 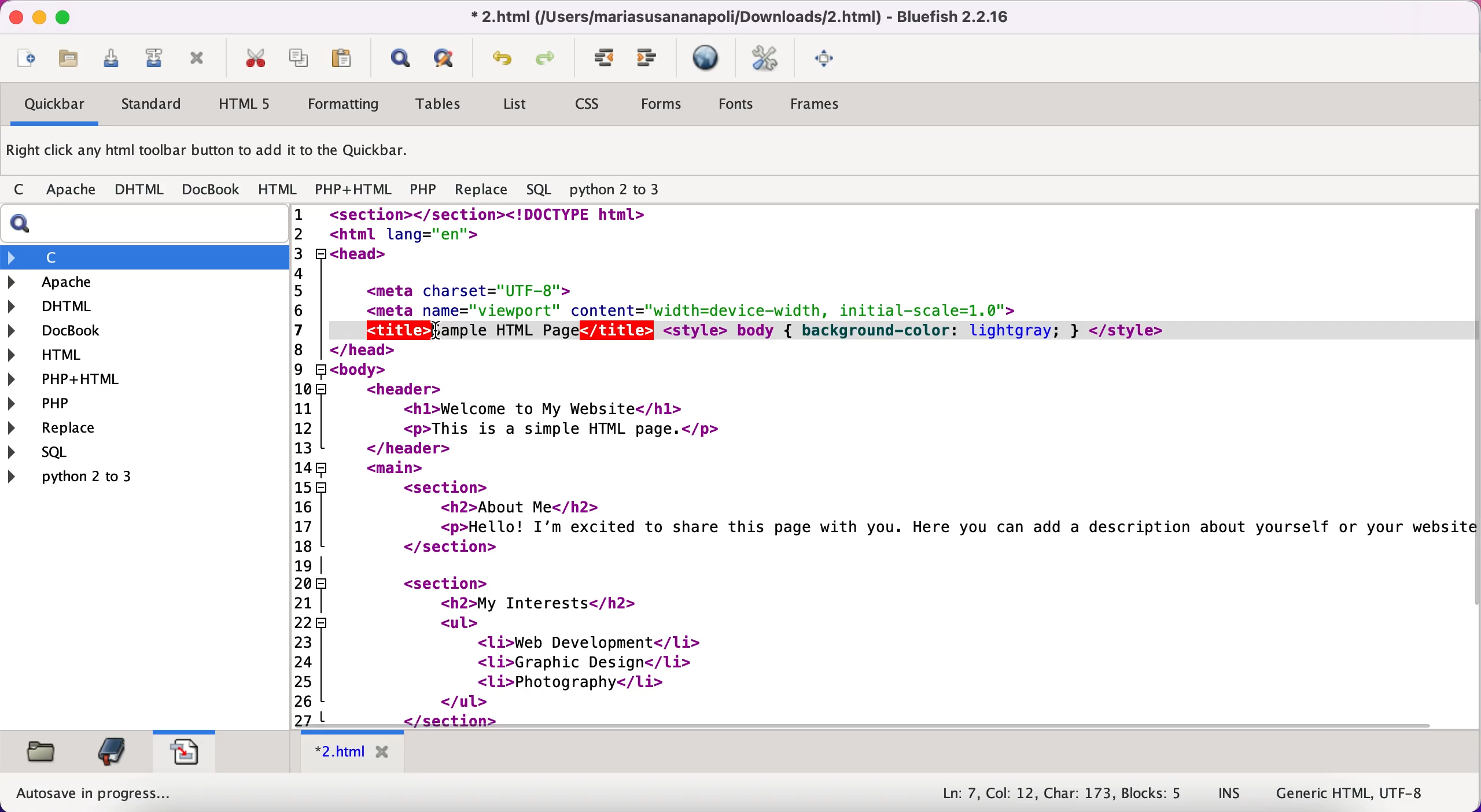 What do you see at coordinates (481, 193) in the screenshot?
I see `replace` at bounding box center [481, 193].